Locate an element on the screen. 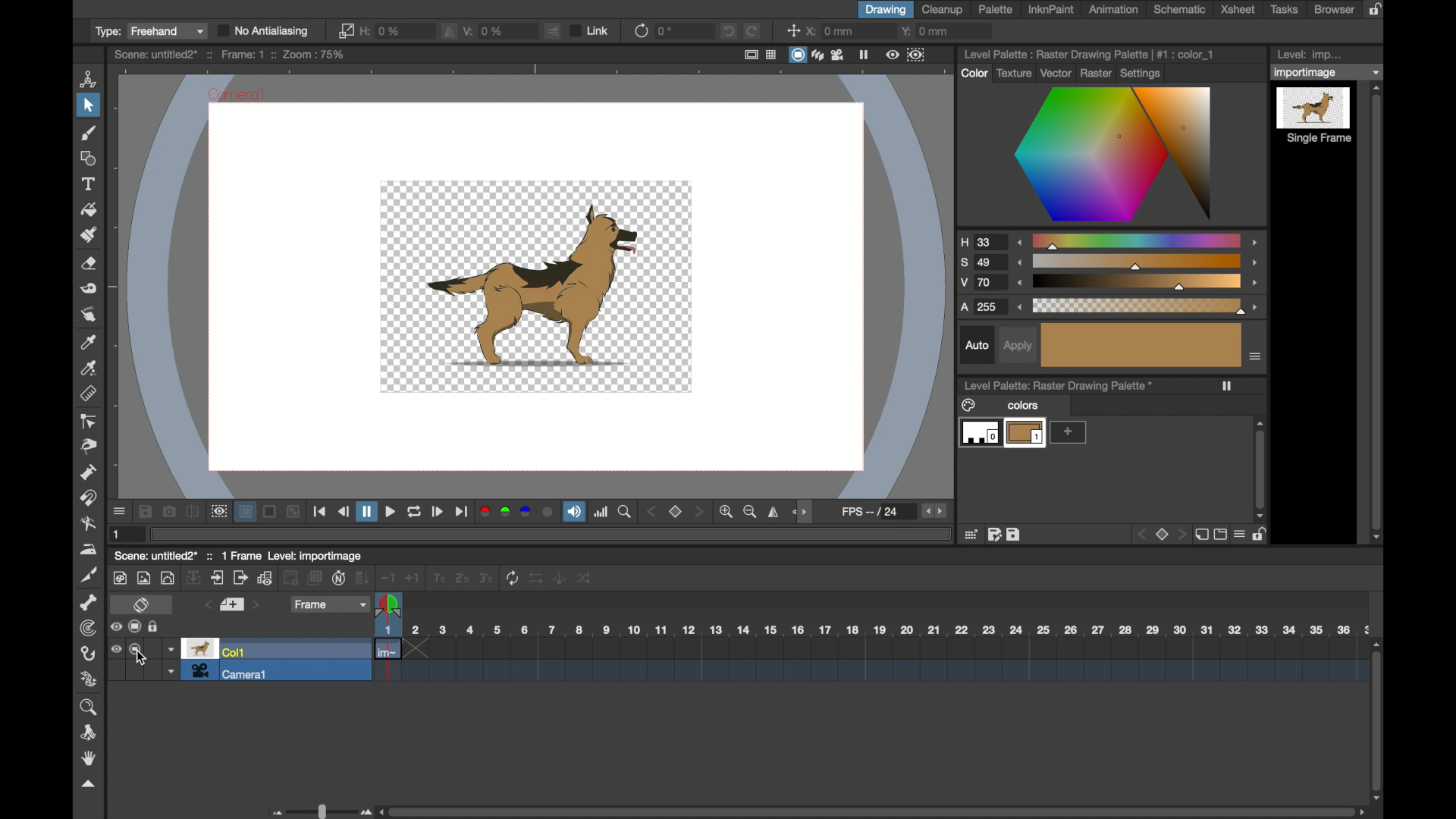 The width and height of the screenshot is (1456, 819). undo is located at coordinates (729, 31).